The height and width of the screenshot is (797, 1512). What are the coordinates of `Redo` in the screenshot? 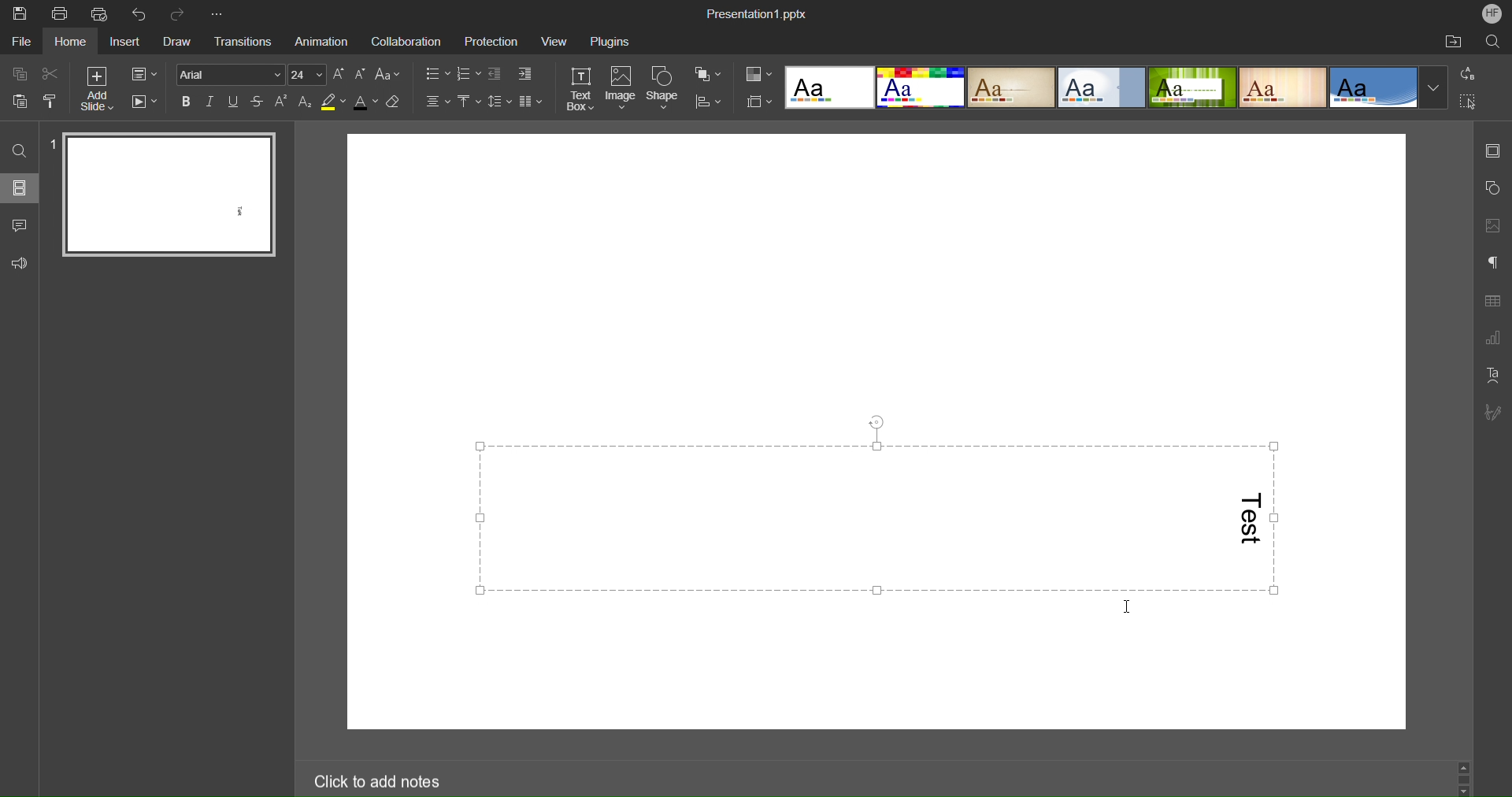 It's located at (181, 13).